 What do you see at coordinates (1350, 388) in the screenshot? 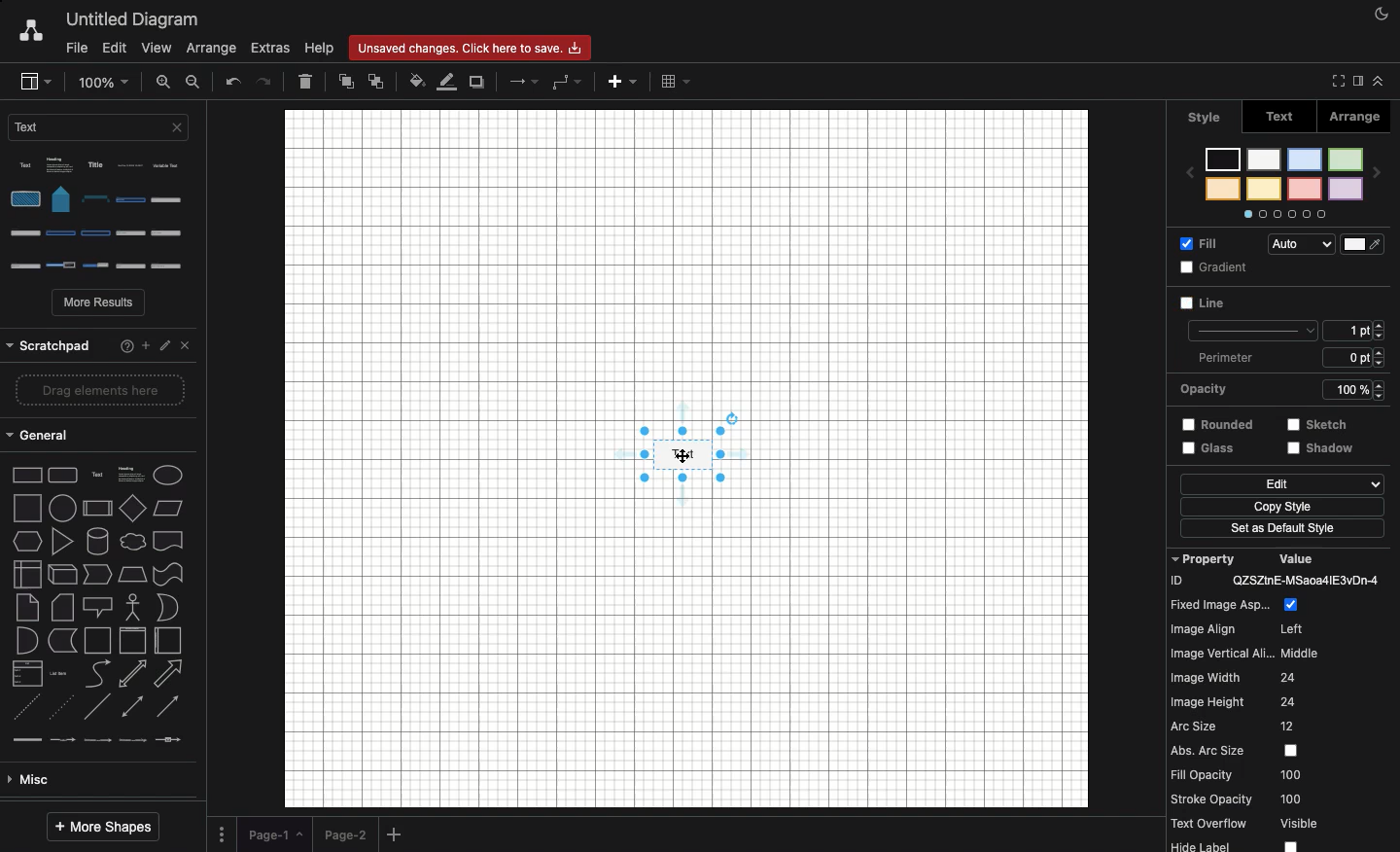
I see `strestch` at bounding box center [1350, 388].